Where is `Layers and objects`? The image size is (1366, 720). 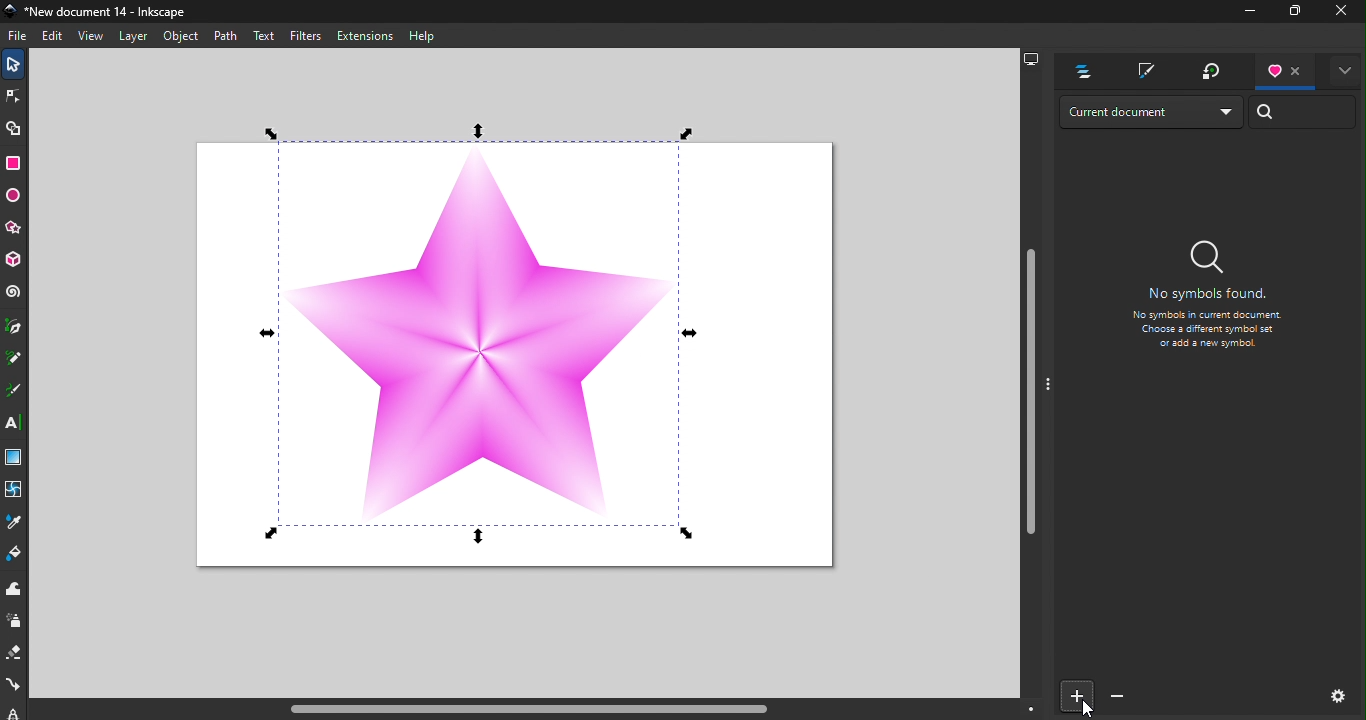
Layers and objects is located at coordinates (1077, 71).